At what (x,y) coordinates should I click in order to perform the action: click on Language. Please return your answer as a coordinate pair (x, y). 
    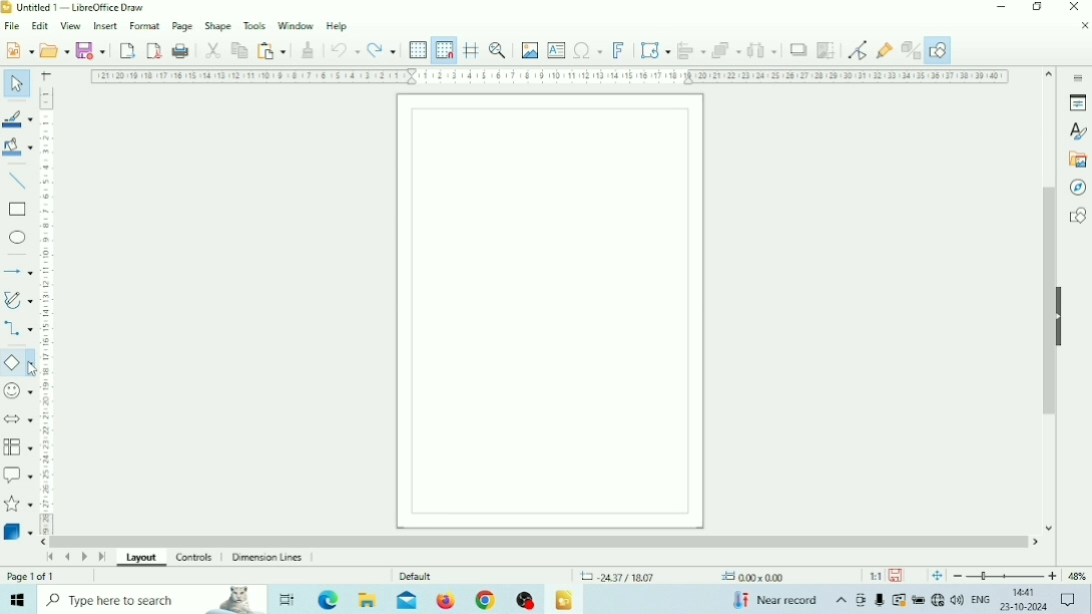
    Looking at the image, I should click on (982, 600).